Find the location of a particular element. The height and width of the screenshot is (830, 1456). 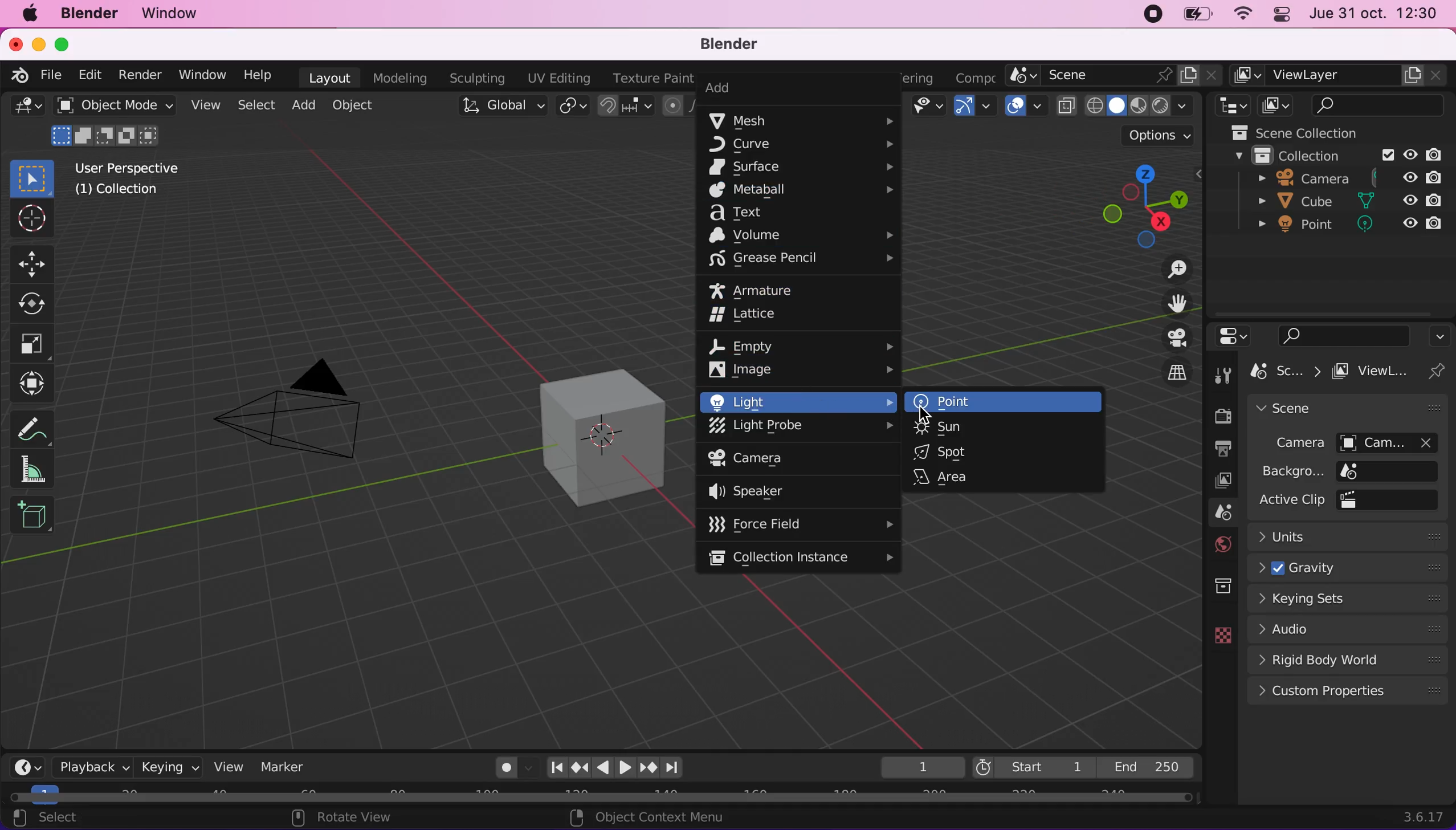

add is located at coordinates (797, 87).